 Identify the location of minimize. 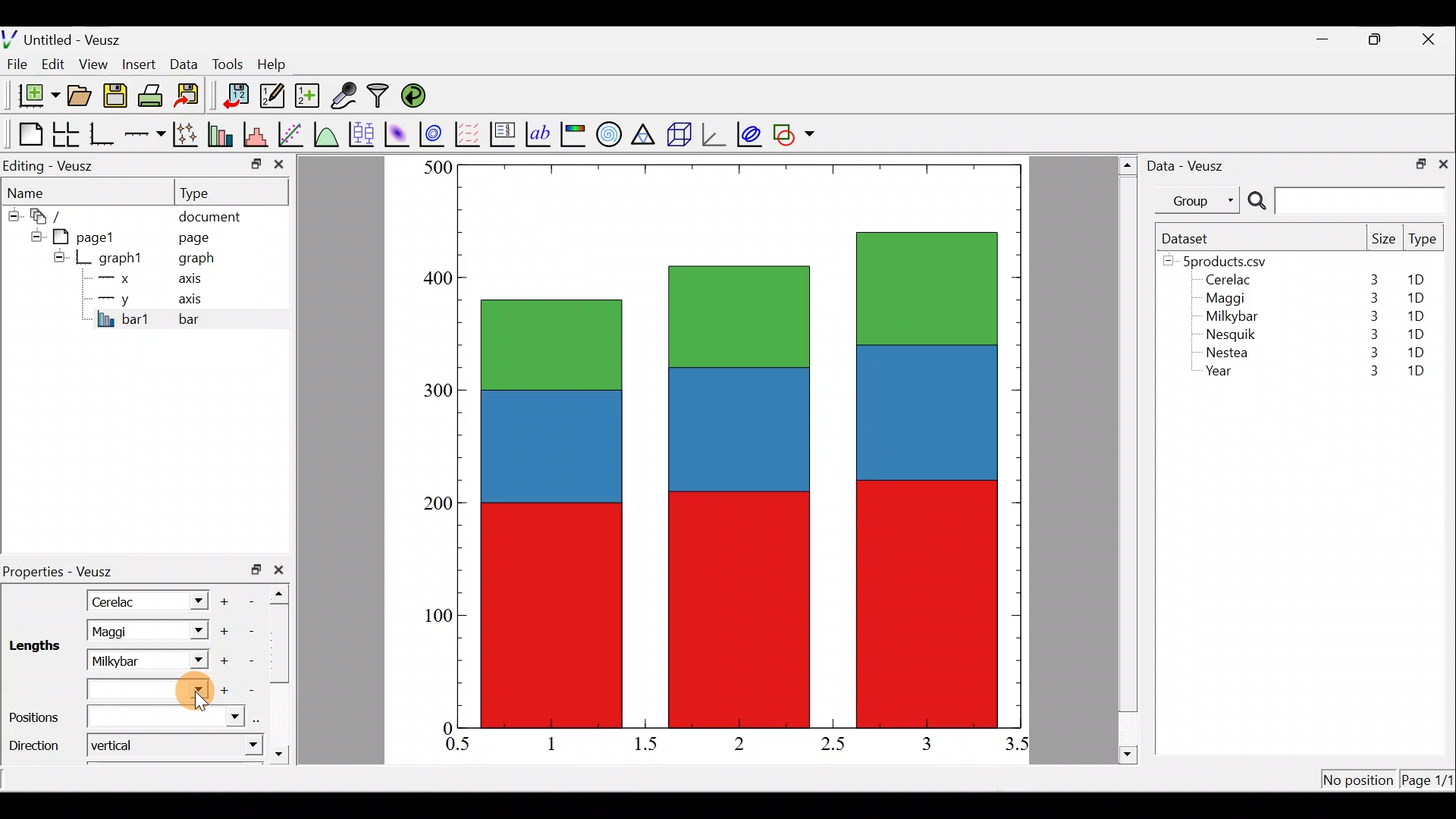
(255, 163).